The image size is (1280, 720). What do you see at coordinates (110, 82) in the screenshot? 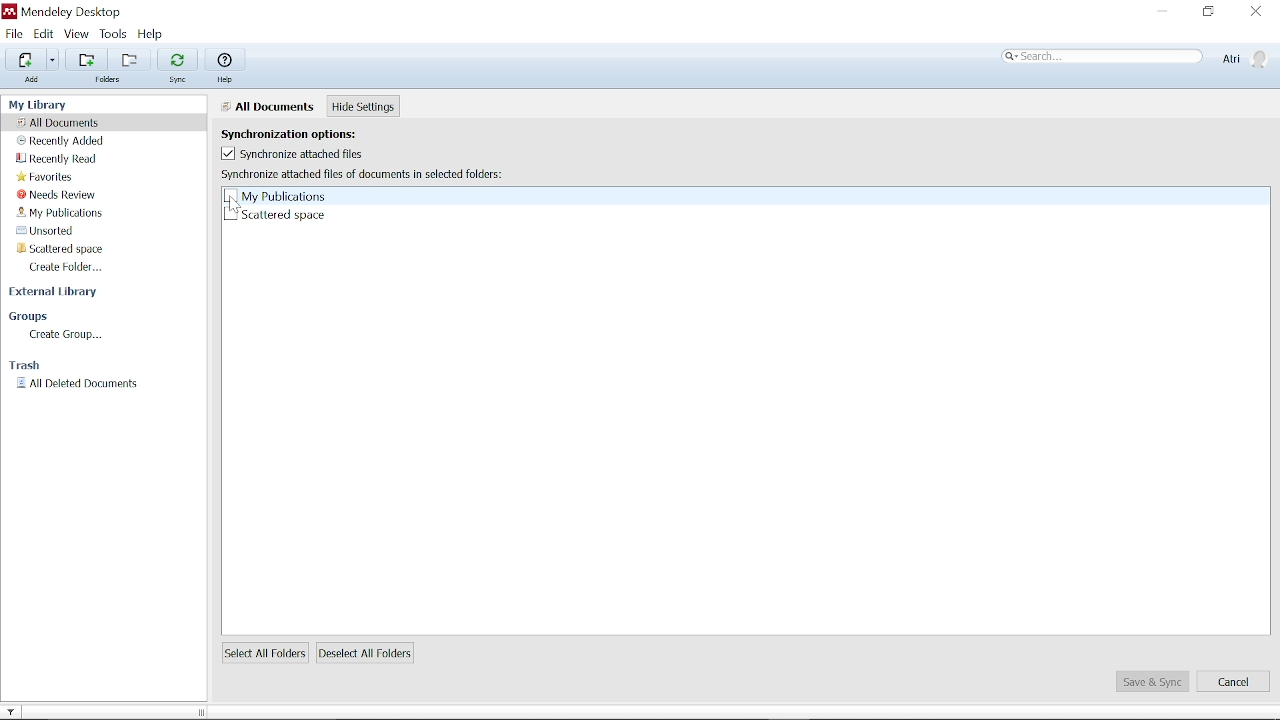
I see `folders` at bounding box center [110, 82].